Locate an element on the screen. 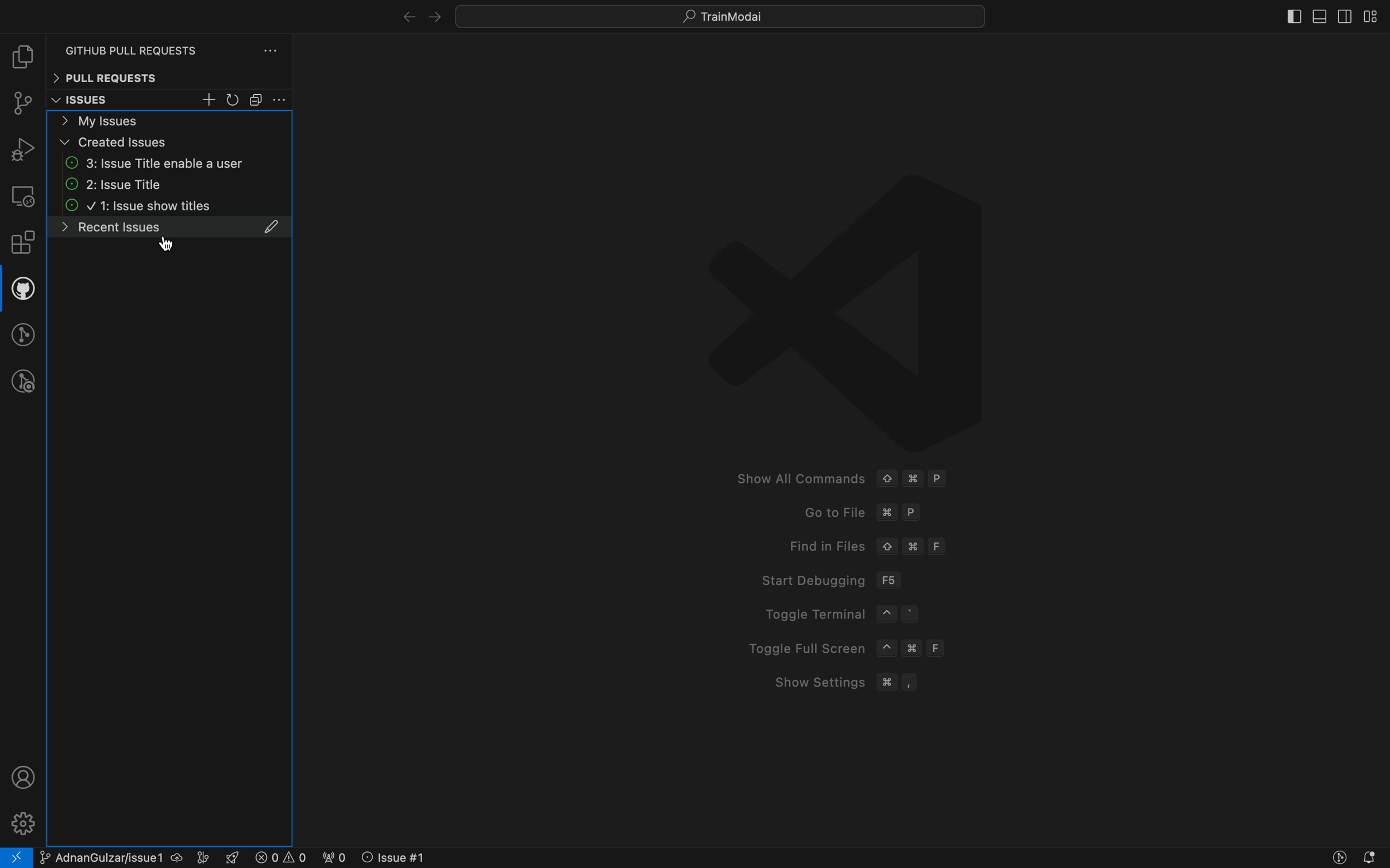 Image resolution: width=1390 pixels, height=868 pixels. git lens is located at coordinates (1340, 858).